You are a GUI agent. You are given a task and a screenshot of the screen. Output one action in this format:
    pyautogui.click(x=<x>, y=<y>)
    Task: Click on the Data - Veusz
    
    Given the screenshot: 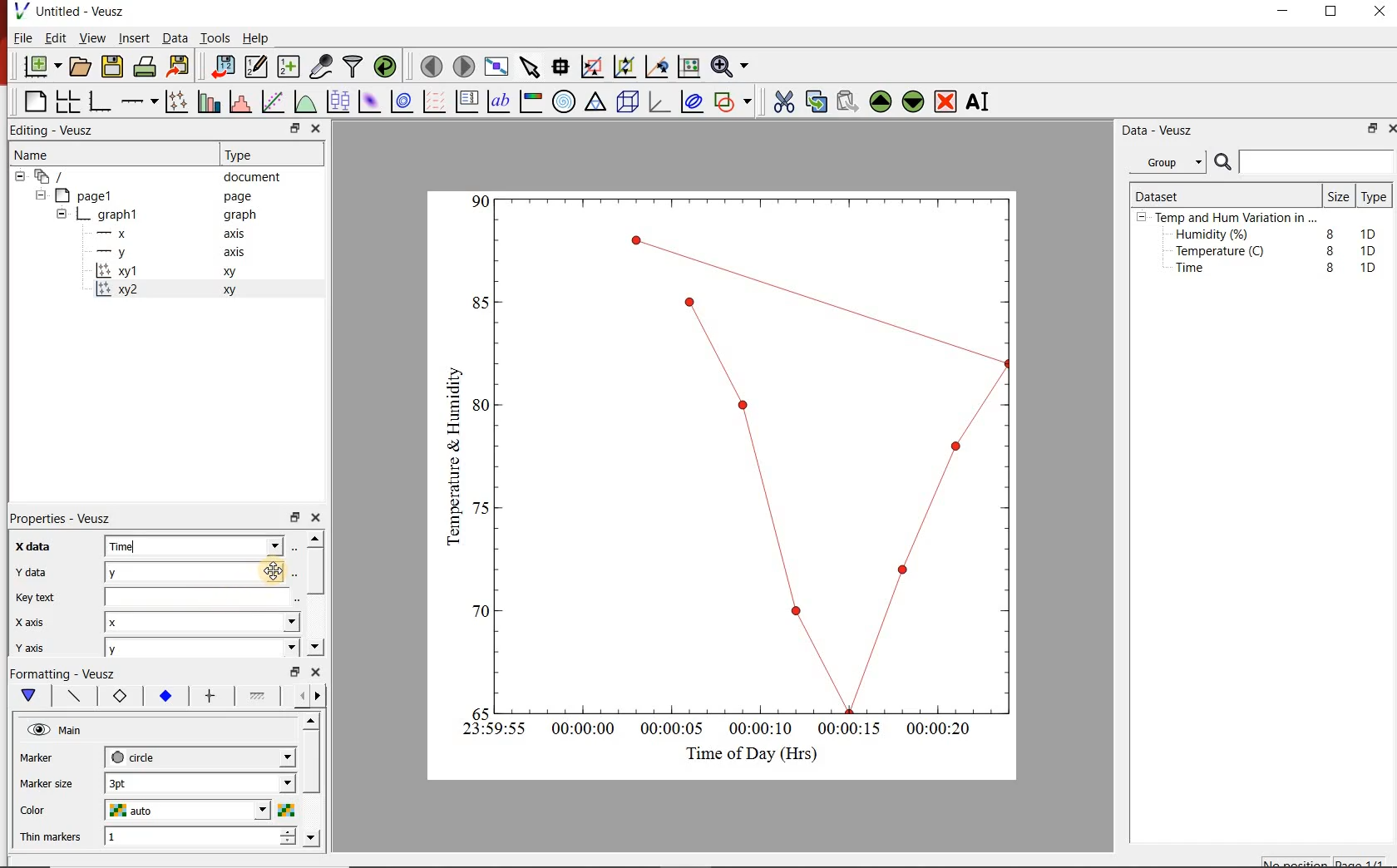 What is the action you would take?
    pyautogui.click(x=1161, y=131)
    